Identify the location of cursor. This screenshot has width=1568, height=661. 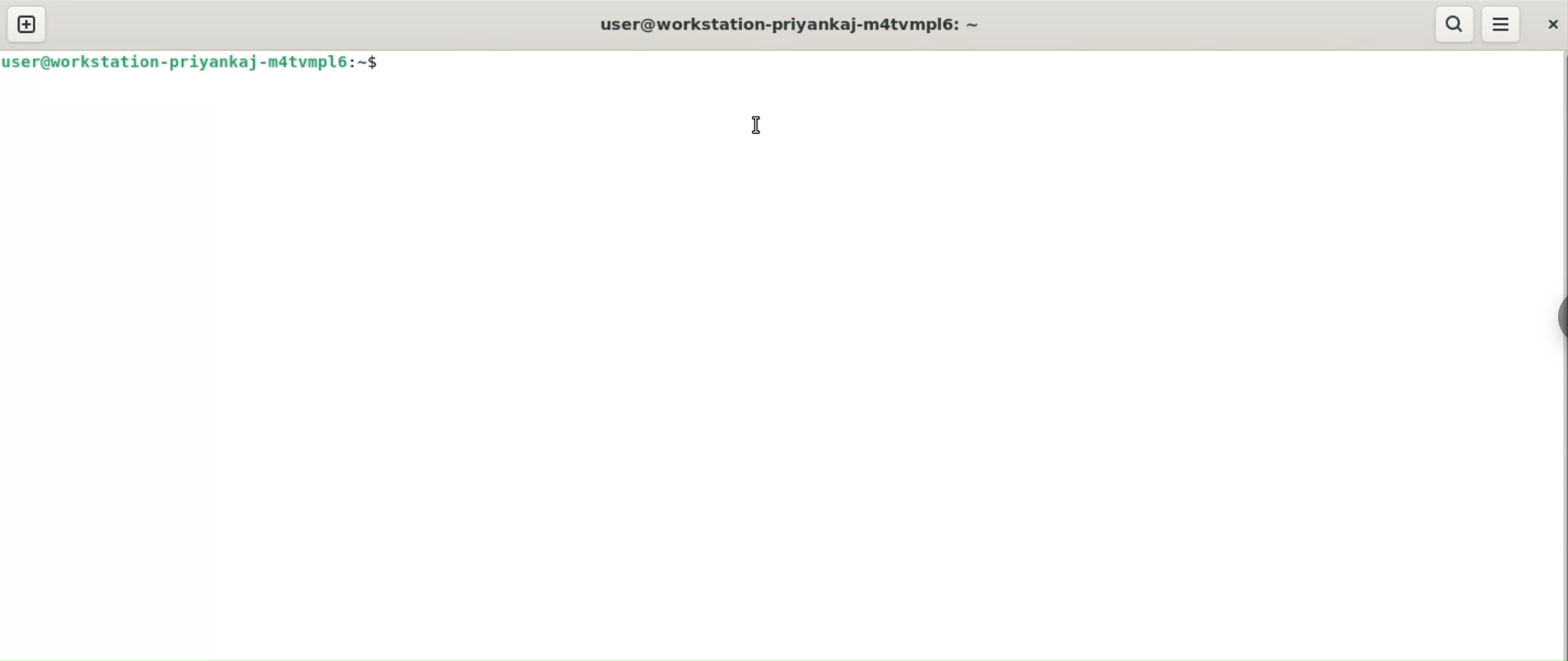
(759, 127).